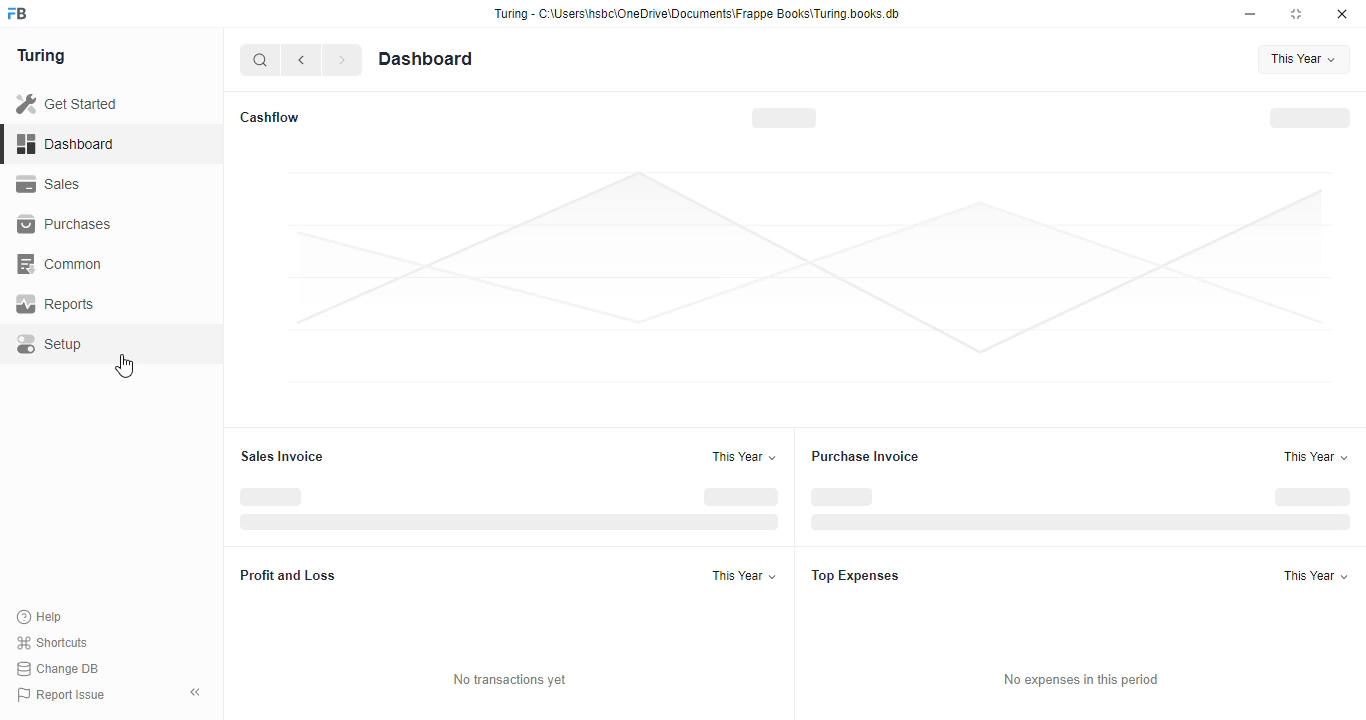 The width and height of the screenshot is (1366, 720). Describe the element at coordinates (198, 691) in the screenshot. I see `toggle sidebar` at that location.